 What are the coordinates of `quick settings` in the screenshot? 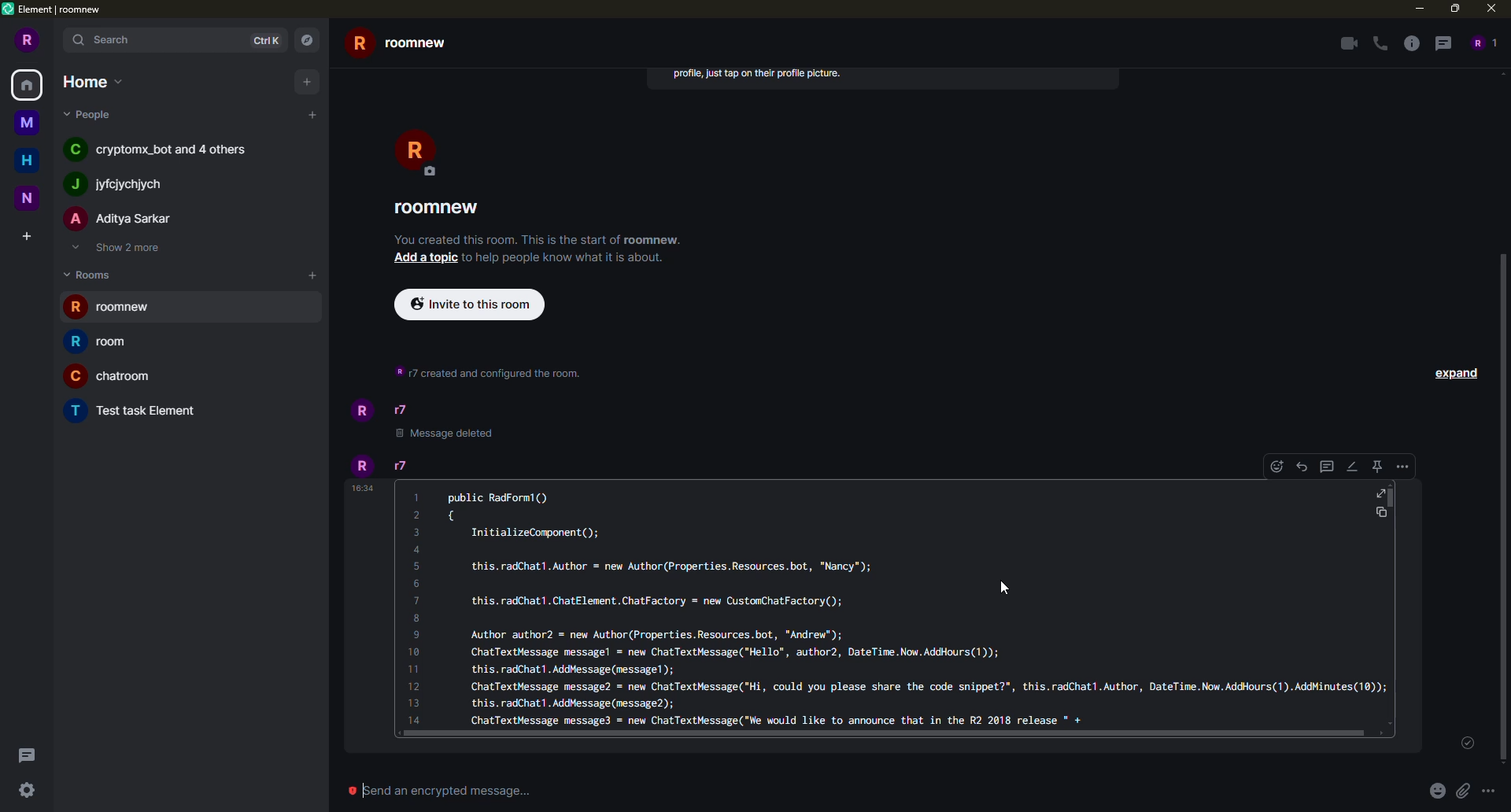 It's located at (28, 792).